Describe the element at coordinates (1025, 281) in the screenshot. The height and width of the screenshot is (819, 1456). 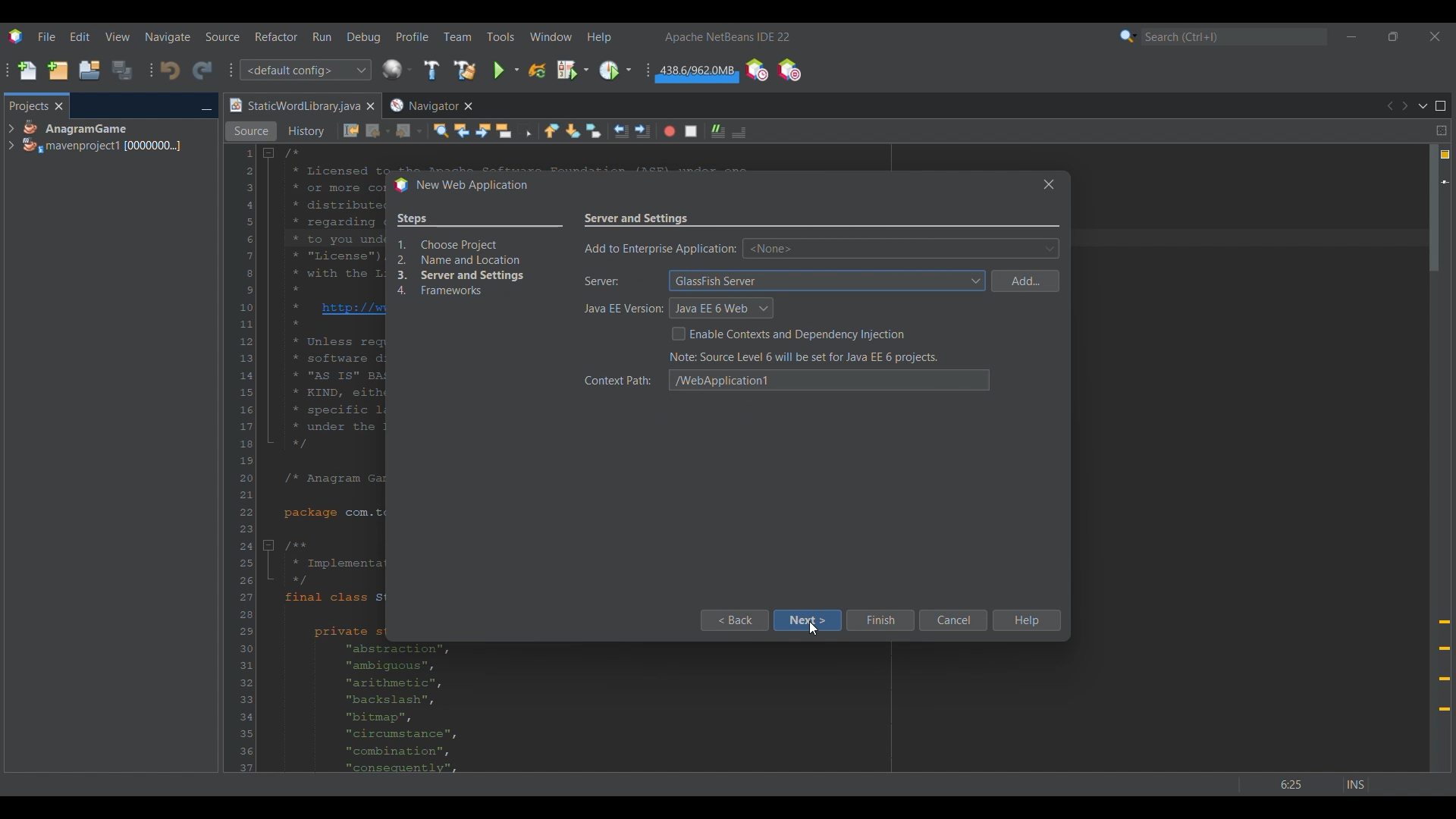
I see `Add server` at that location.